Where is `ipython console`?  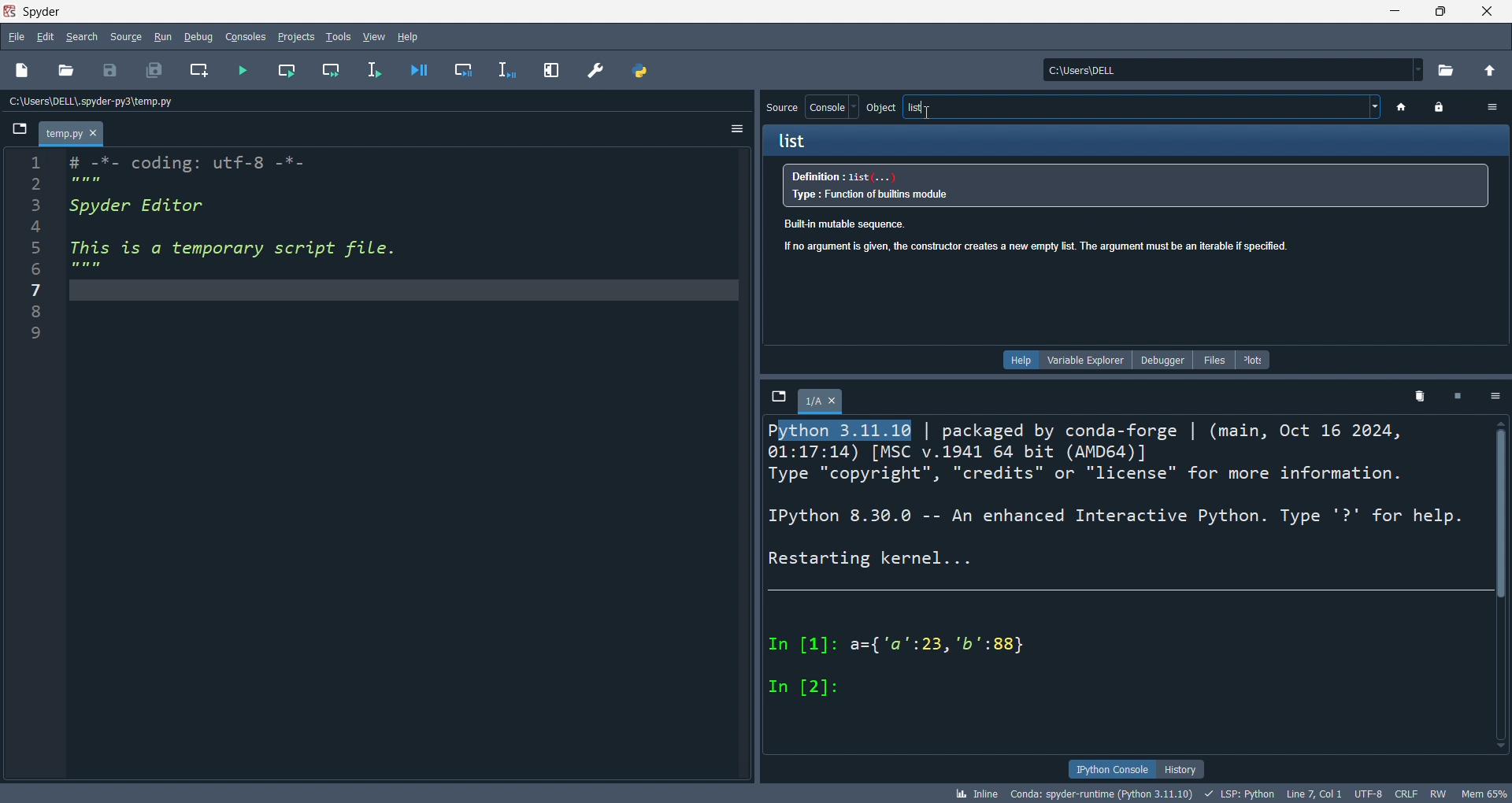 ipython console is located at coordinates (1105, 768).